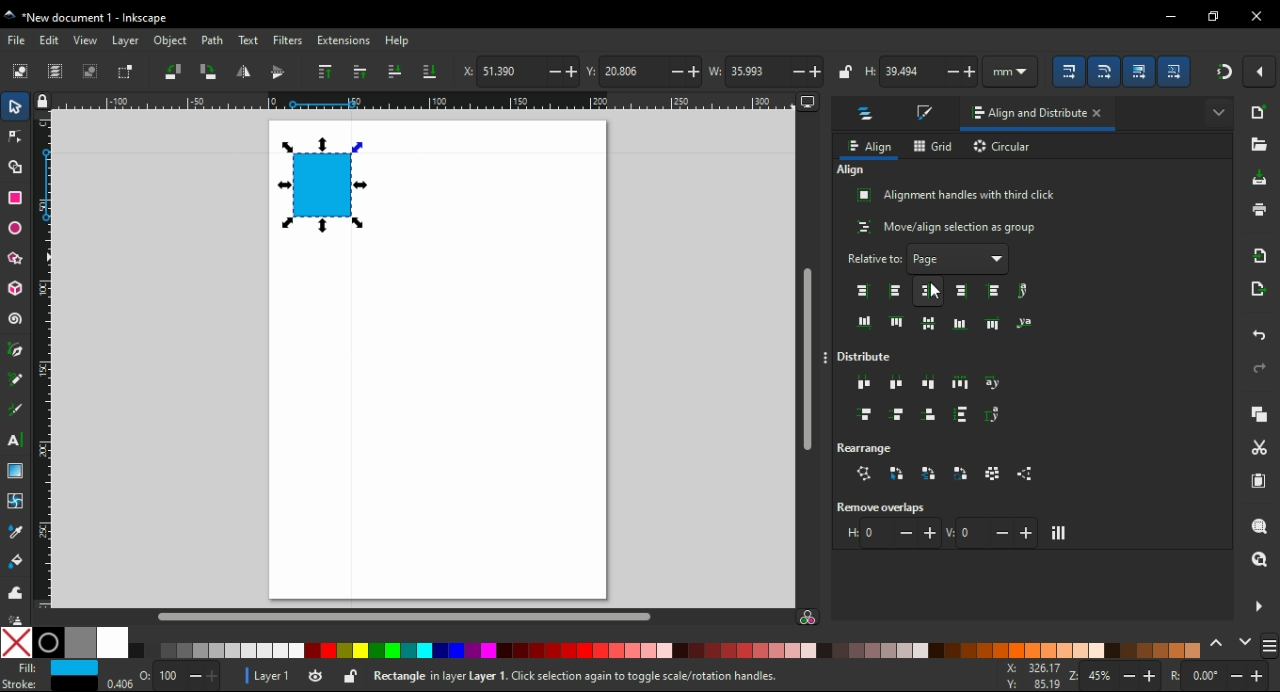 This screenshot has width=1280, height=692. I want to click on scroll bar, so click(423, 616).